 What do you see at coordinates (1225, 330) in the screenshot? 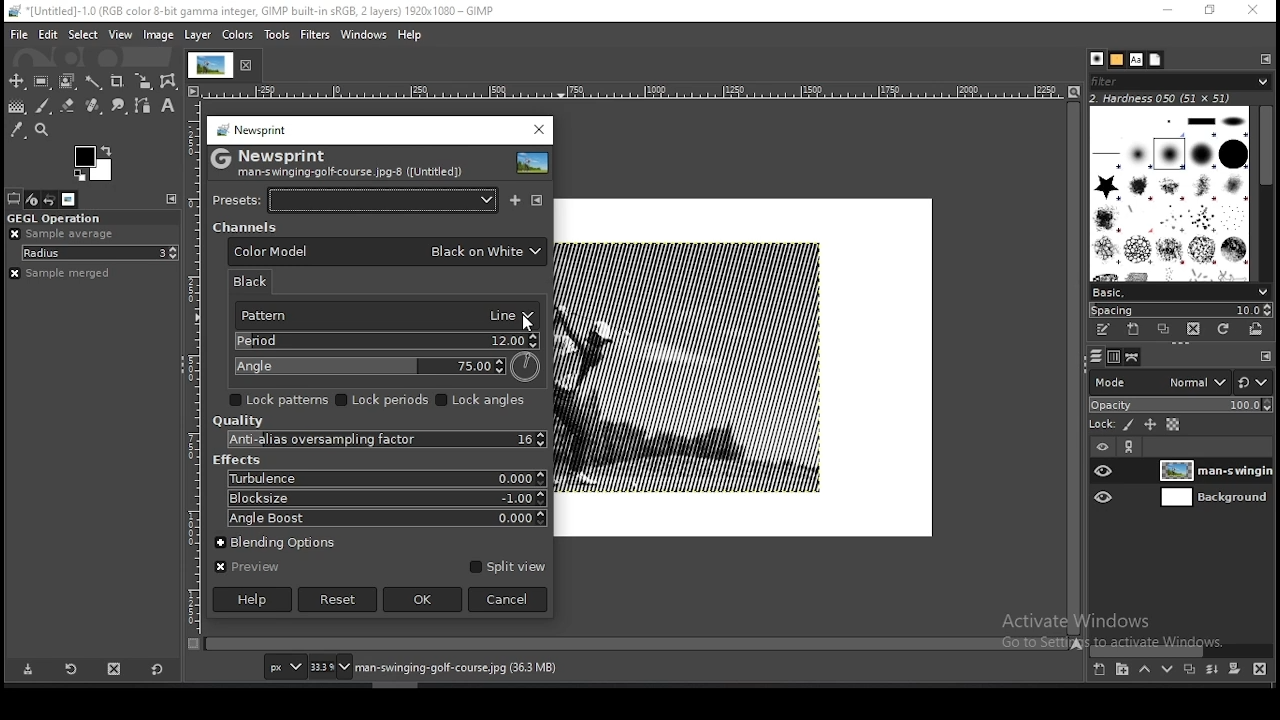
I see `refresh brushes` at bounding box center [1225, 330].